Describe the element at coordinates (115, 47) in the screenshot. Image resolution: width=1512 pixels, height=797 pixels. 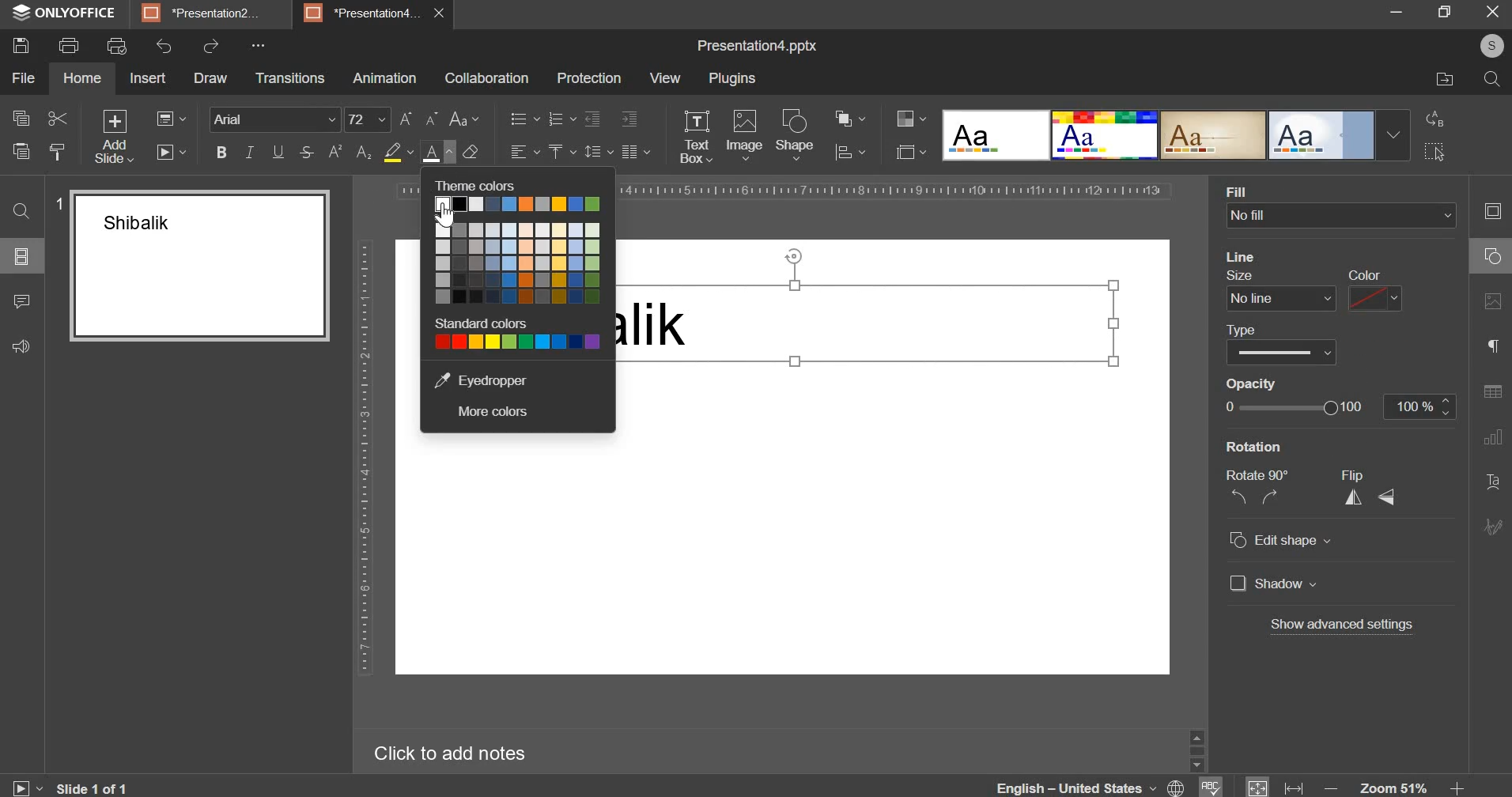
I see `print preview` at that location.